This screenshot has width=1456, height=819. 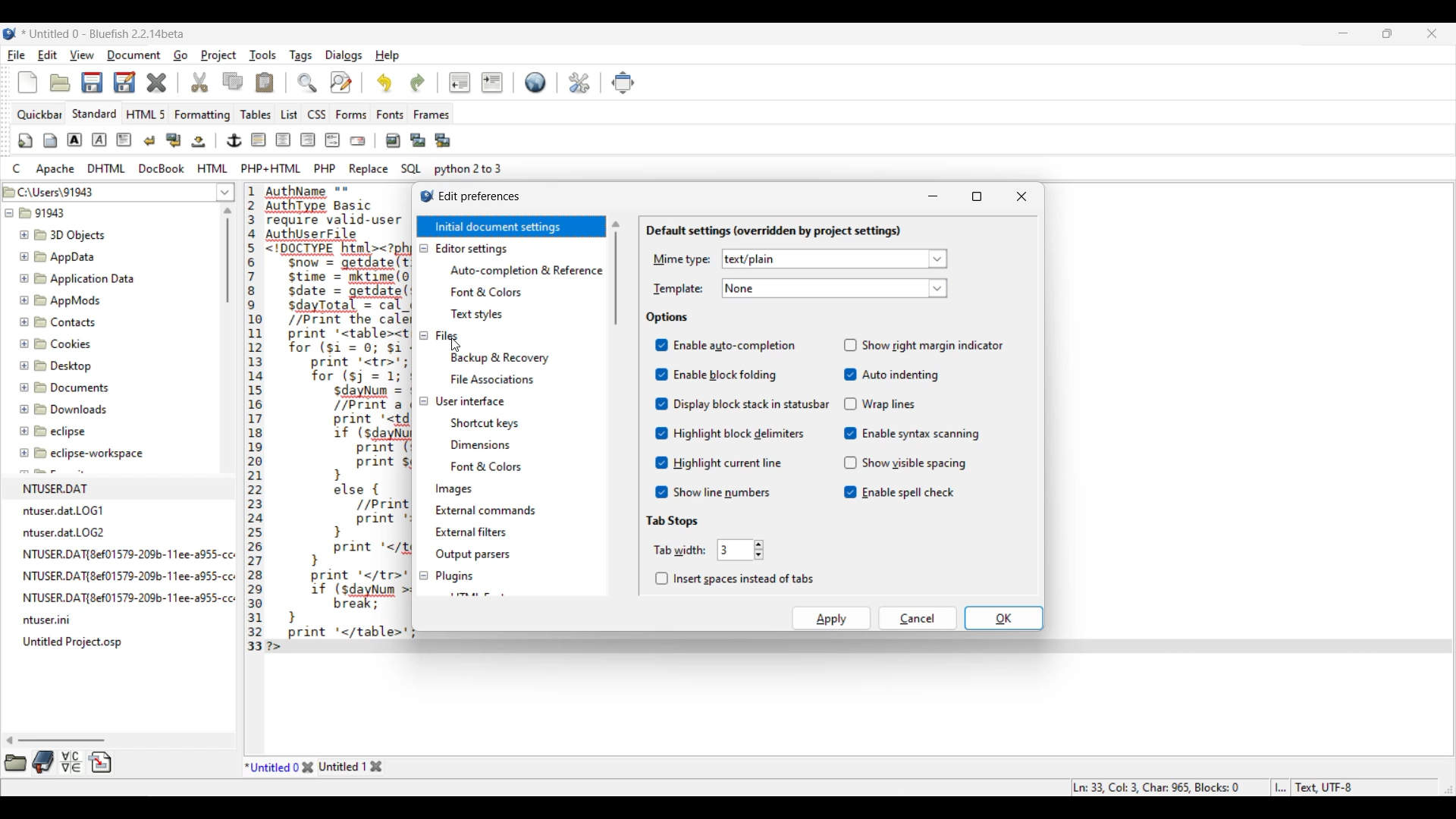 I want to click on Tools menu, so click(x=263, y=55).